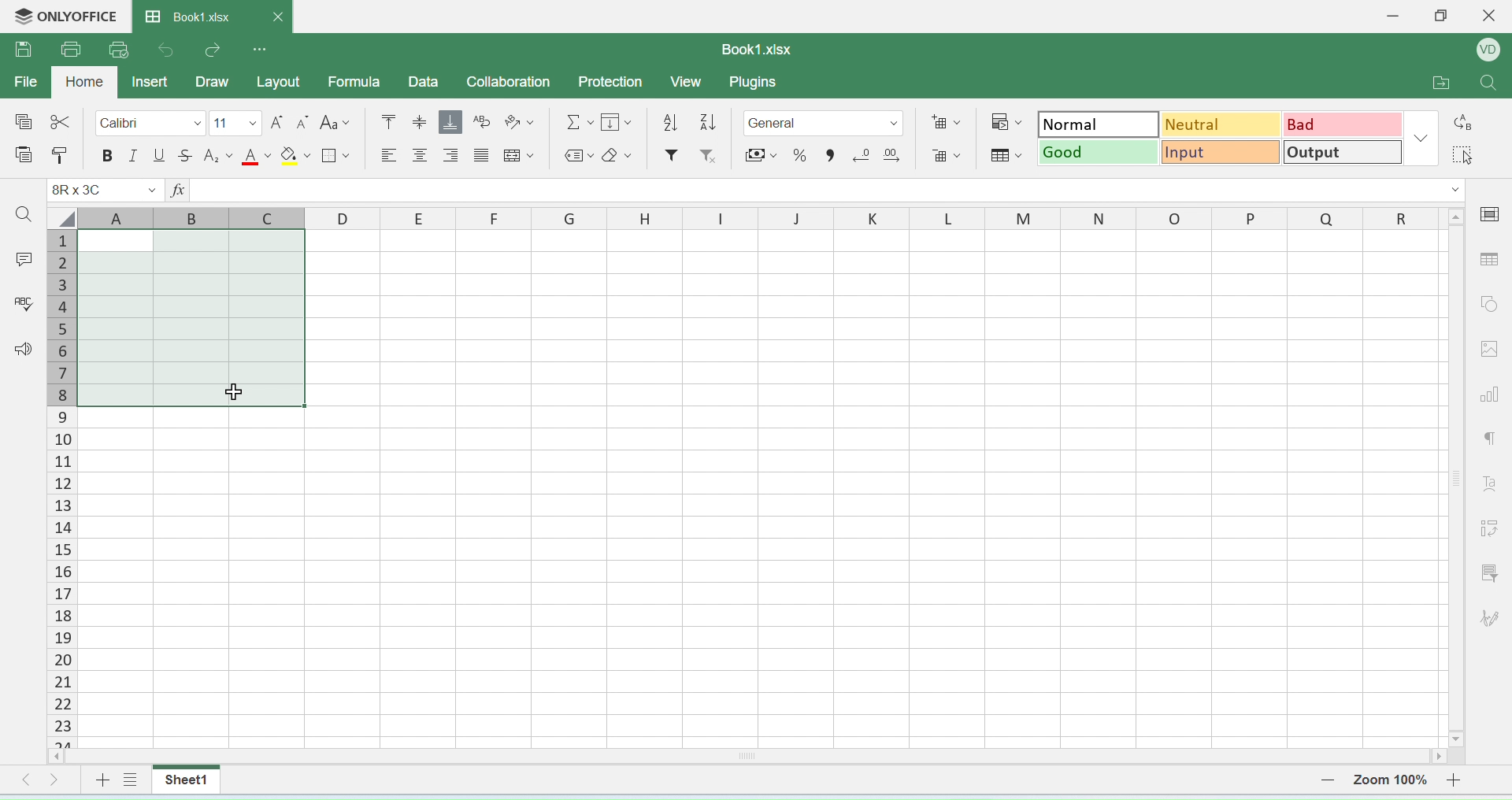 Image resolution: width=1512 pixels, height=800 pixels. What do you see at coordinates (358, 82) in the screenshot?
I see `formula` at bounding box center [358, 82].